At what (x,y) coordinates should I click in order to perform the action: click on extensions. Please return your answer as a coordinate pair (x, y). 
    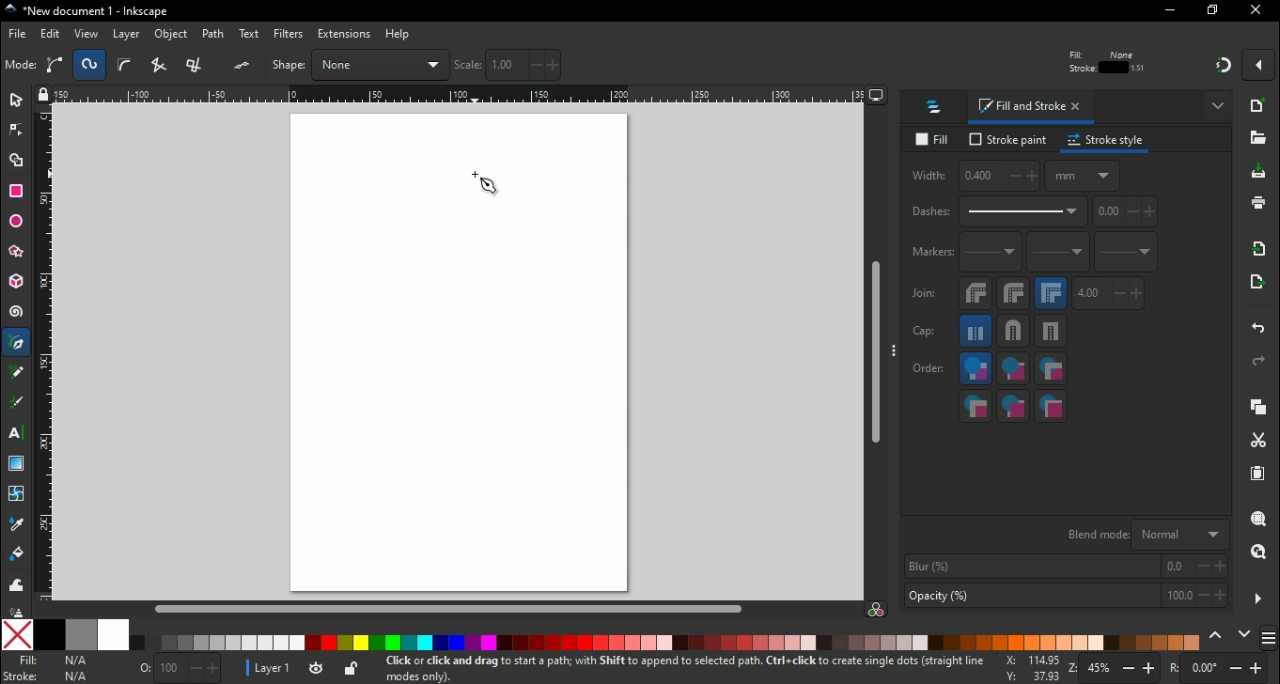
    Looking at the image, I should click on (343, 35).